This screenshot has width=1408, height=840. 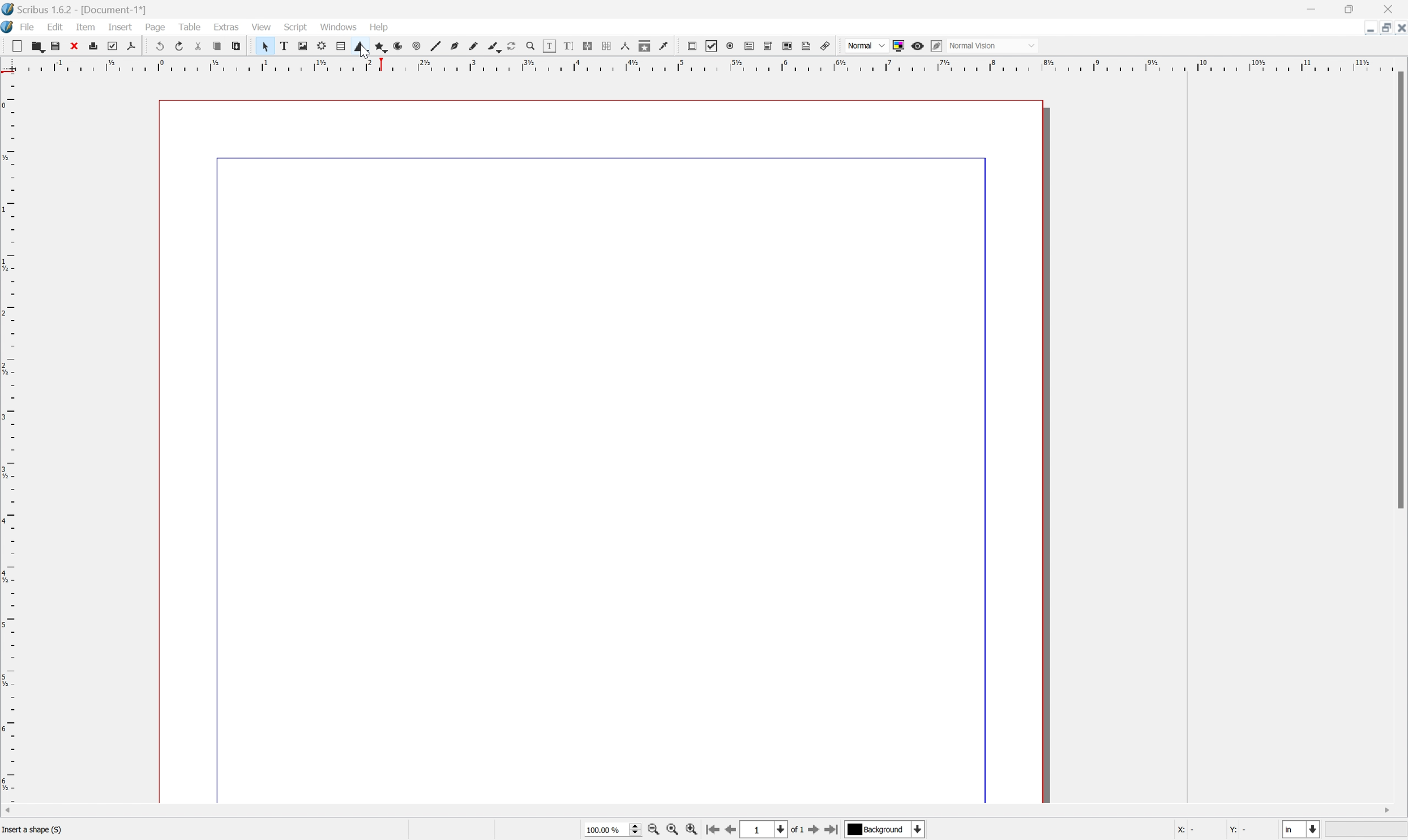 What do you see at coordinates (645, 47) in the screenshot?
I see `Copy item properties` at bounding box center [645, 47].